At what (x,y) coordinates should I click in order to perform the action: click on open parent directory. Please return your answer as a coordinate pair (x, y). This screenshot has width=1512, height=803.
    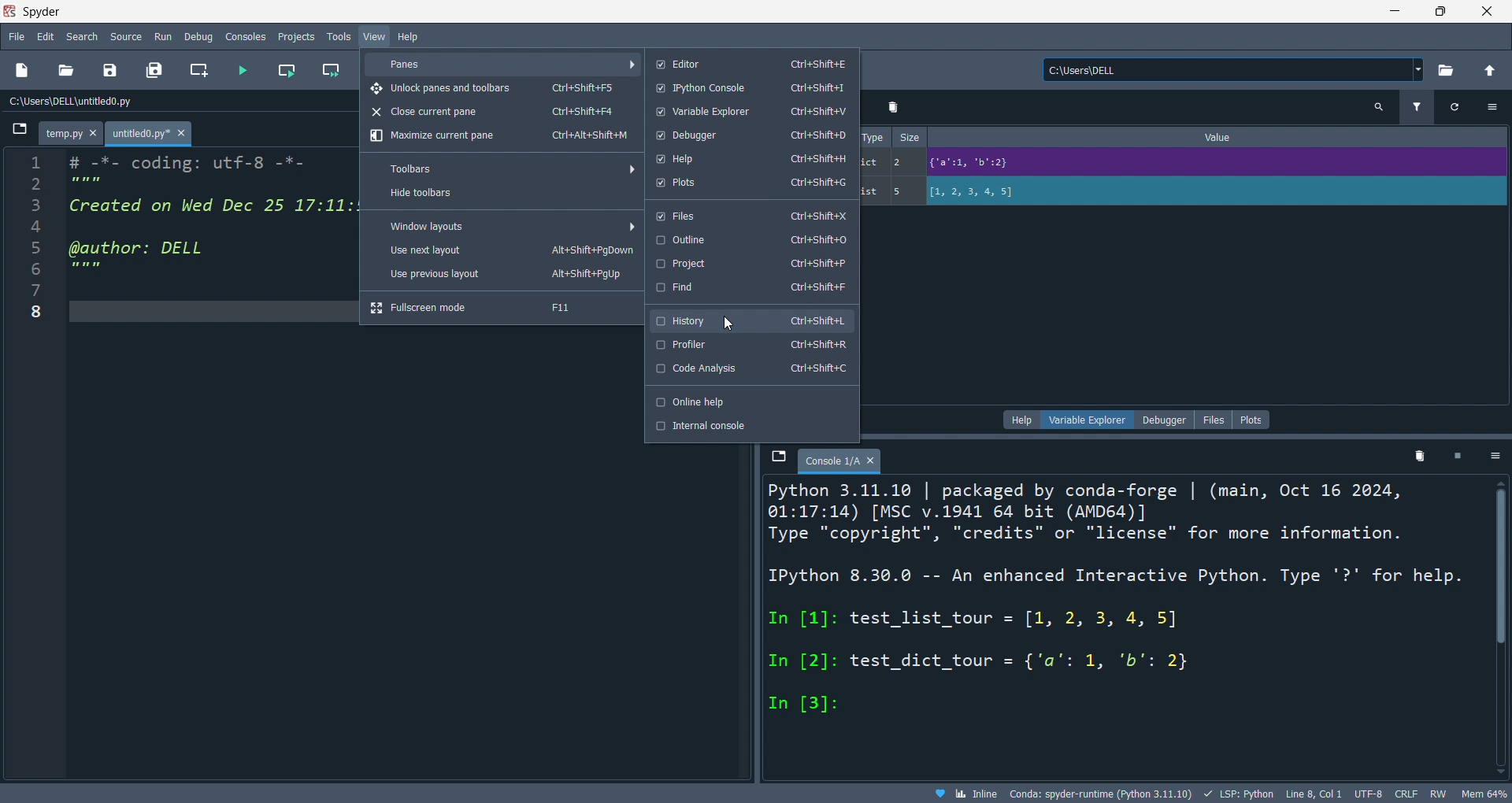
    Looking at the image, I should click on (1490, 68).